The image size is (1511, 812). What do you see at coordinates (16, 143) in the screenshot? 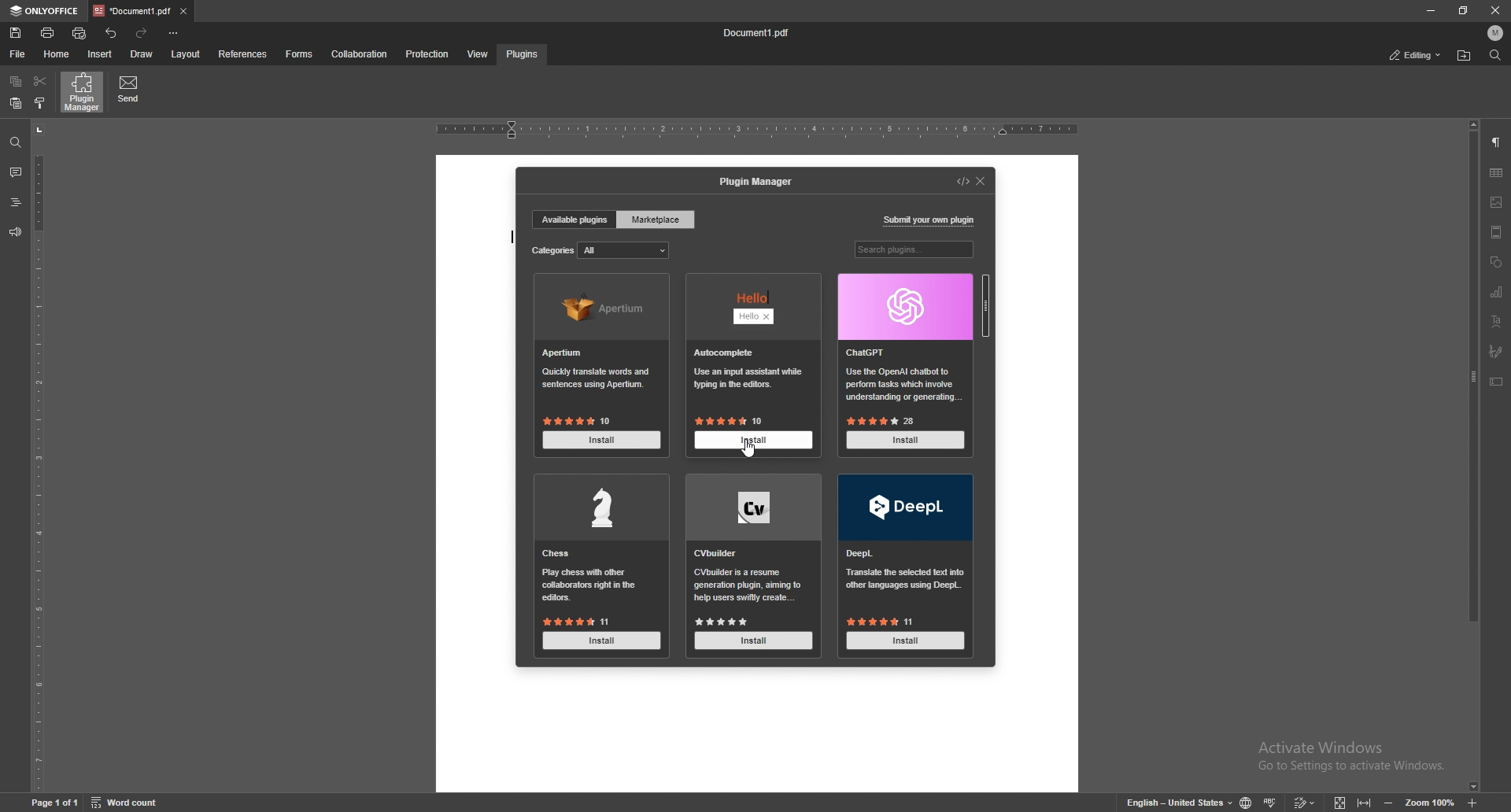
I see `find` at bounding box center [16, 143].